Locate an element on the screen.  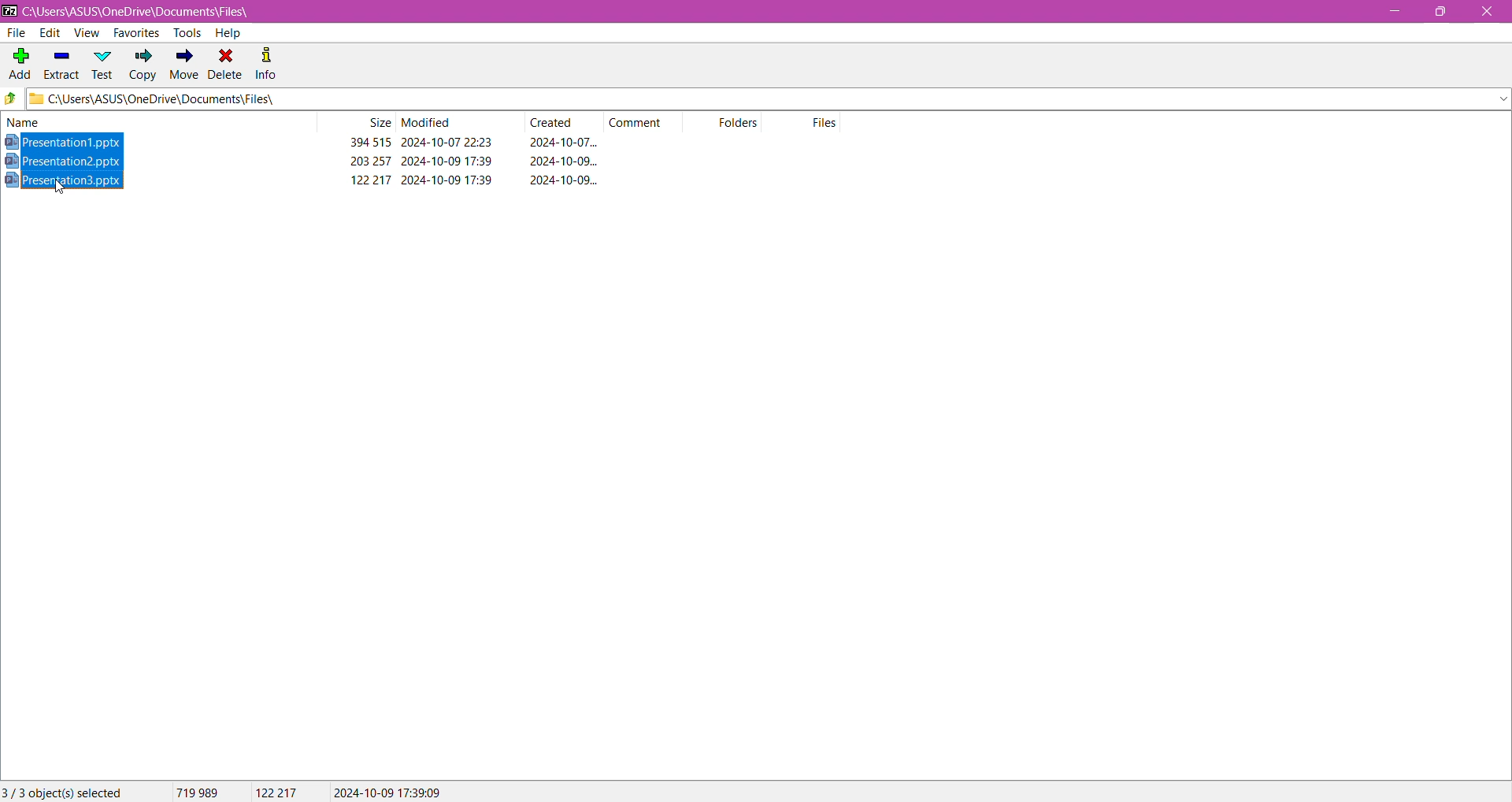
cursor is located at coordinates (61, 191).